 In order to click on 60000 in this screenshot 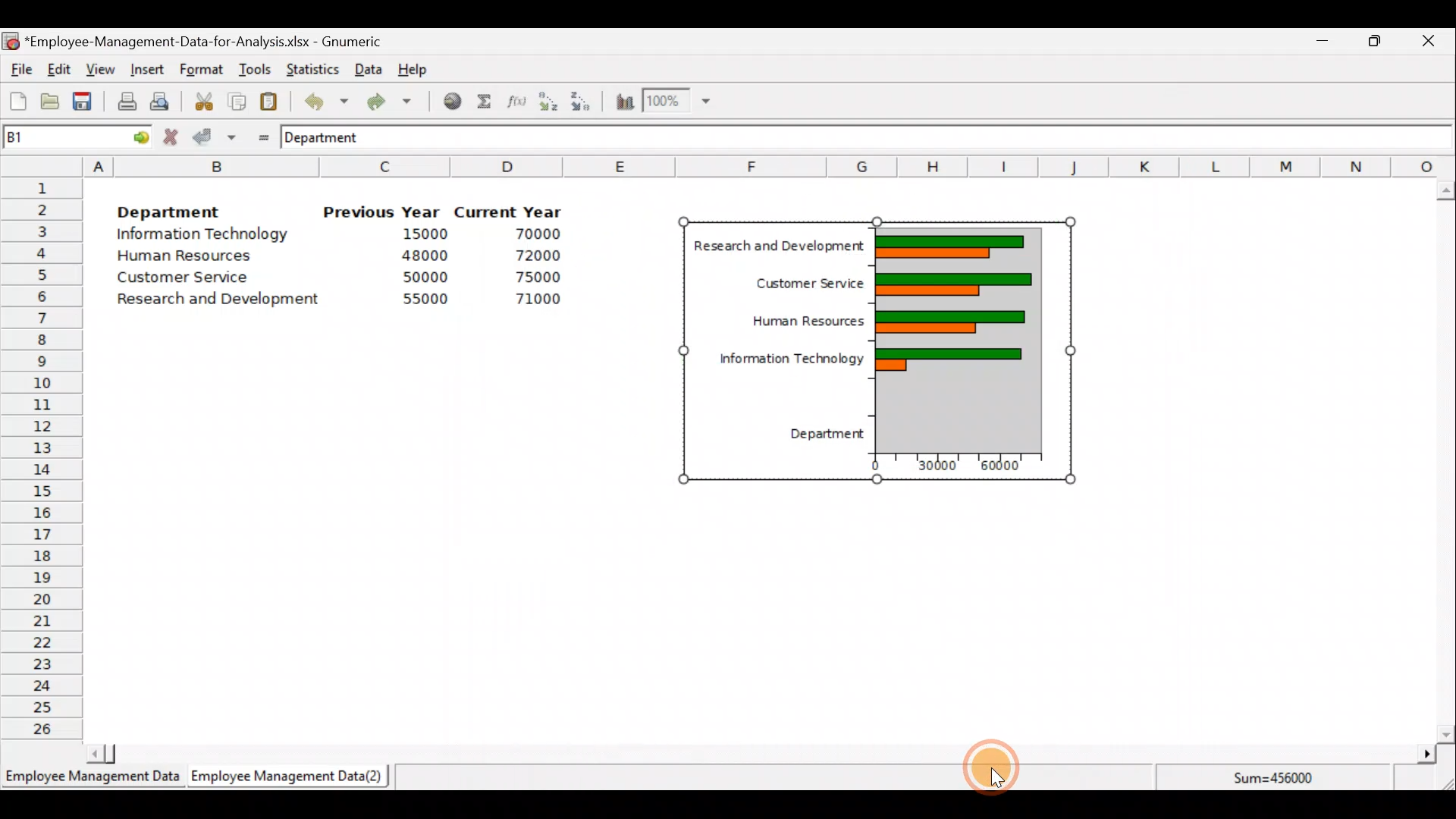, I will do `click(1006, 467)`.